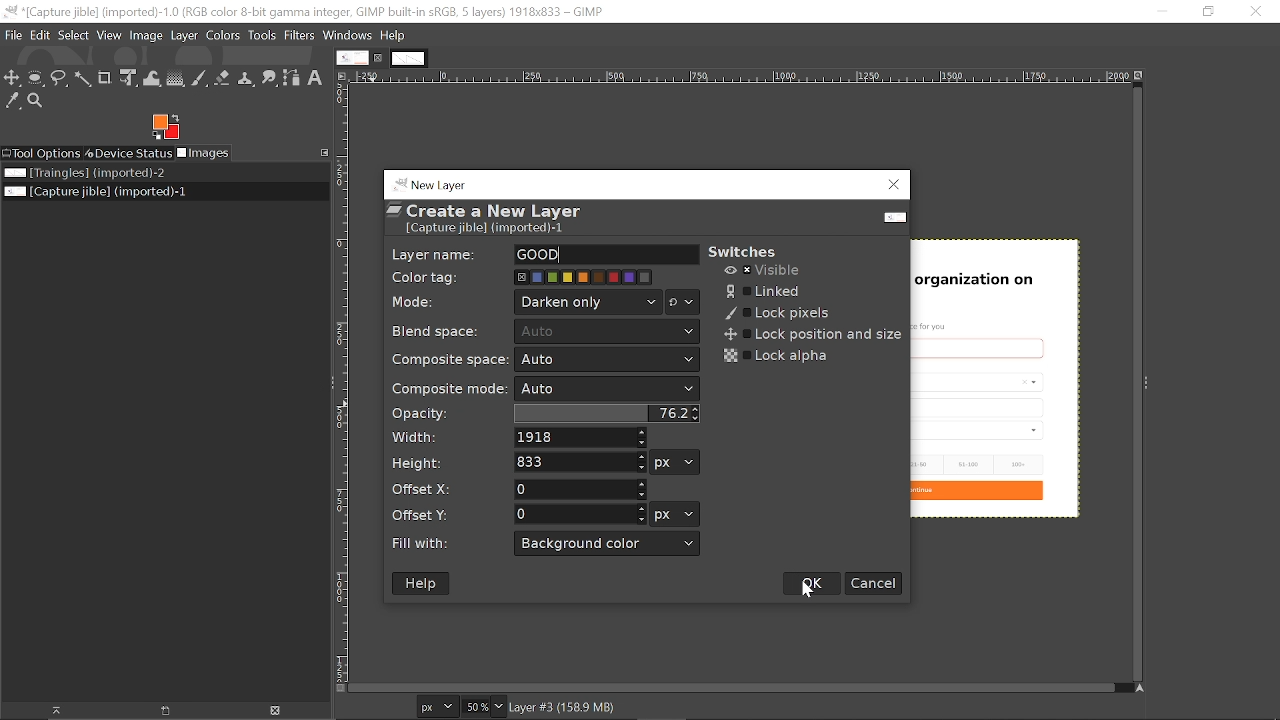  Describe the element at coordinates (1162, 12) in the screenshot. I see `Minimize` at that location.